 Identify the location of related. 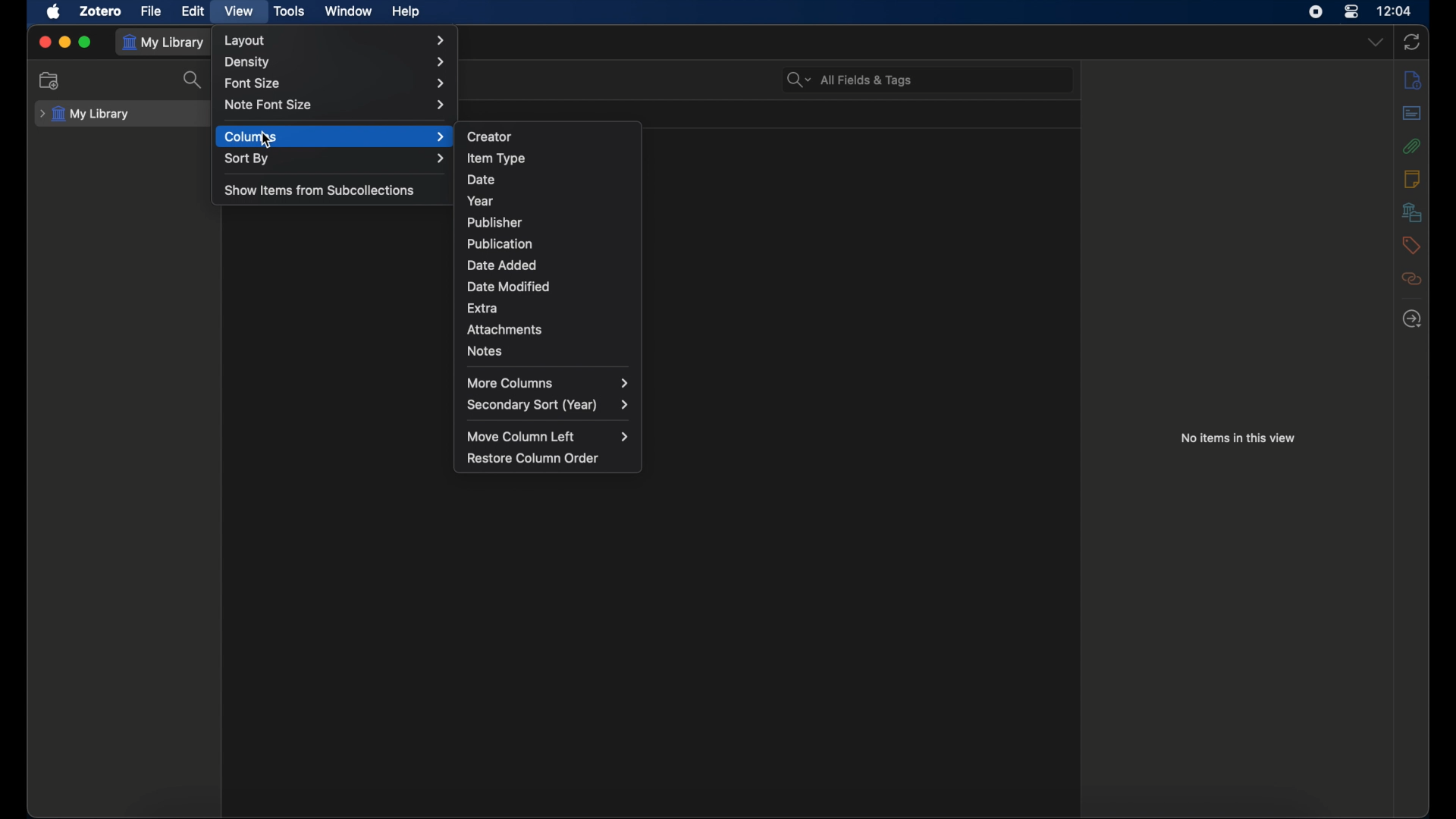
(1412, 279).